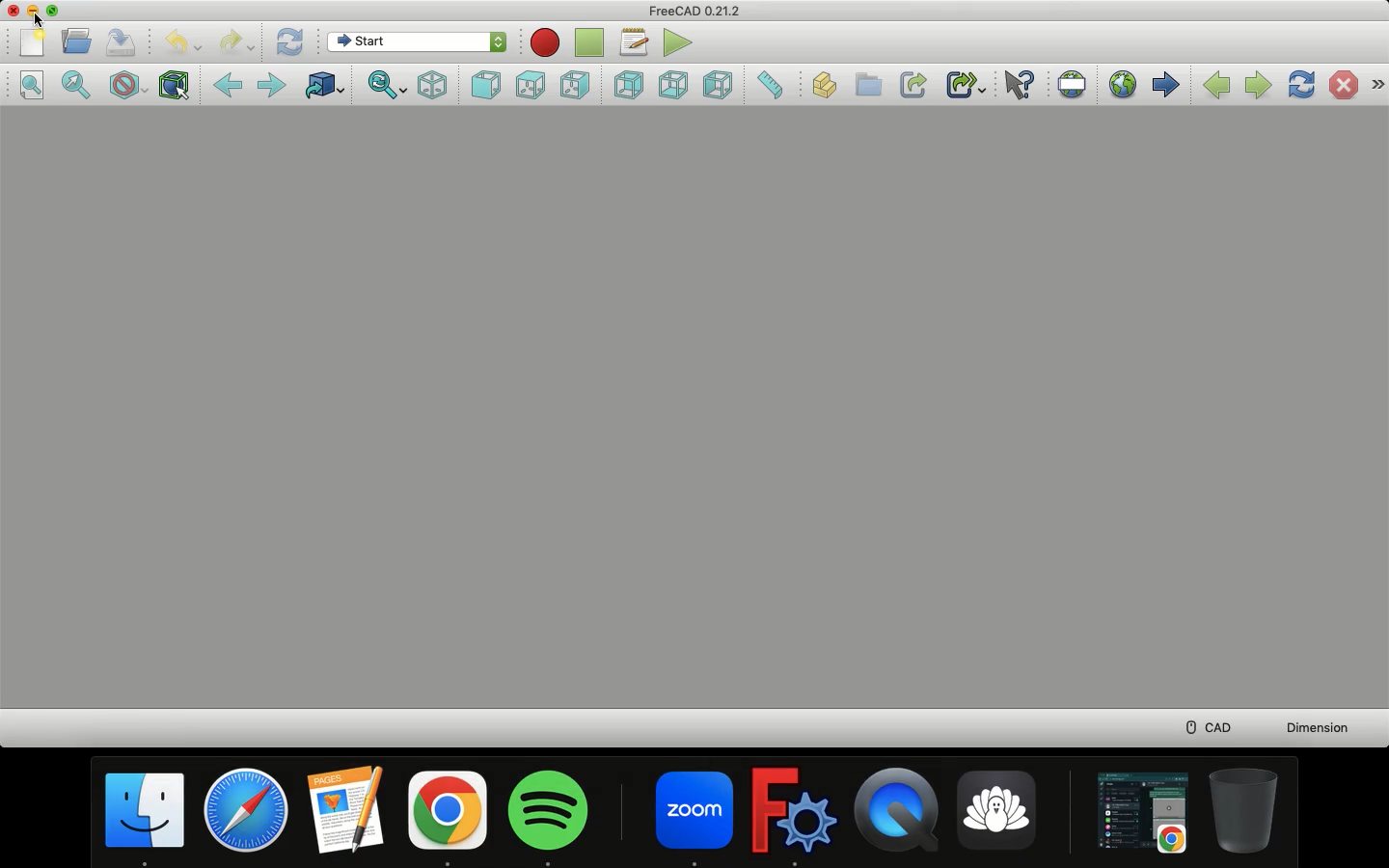  Describe the element at coordinates (420, 42) in the screenshot. I see `start` at that location.